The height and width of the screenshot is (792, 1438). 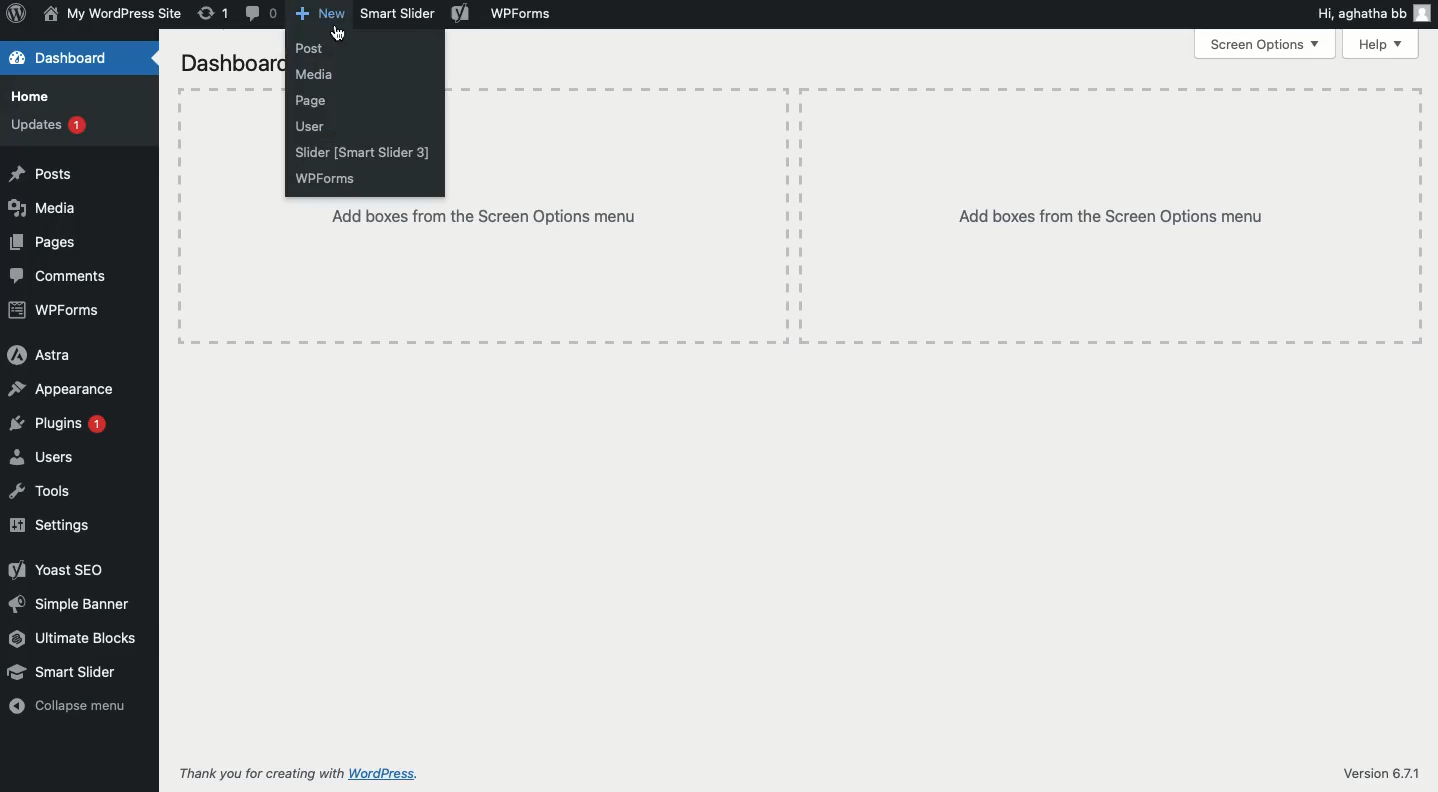 I want to click on Slider, so click(x=368, y=153).